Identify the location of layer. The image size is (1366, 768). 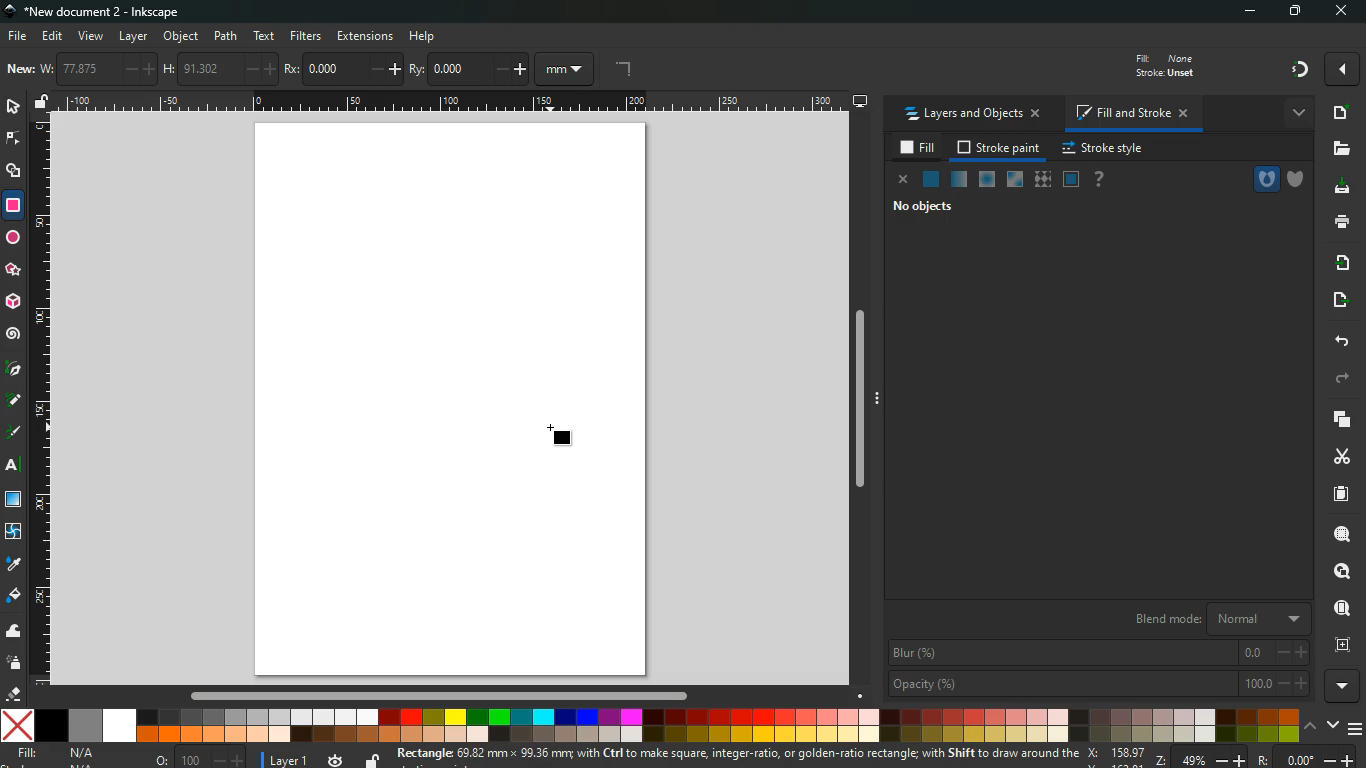
(286, 759).